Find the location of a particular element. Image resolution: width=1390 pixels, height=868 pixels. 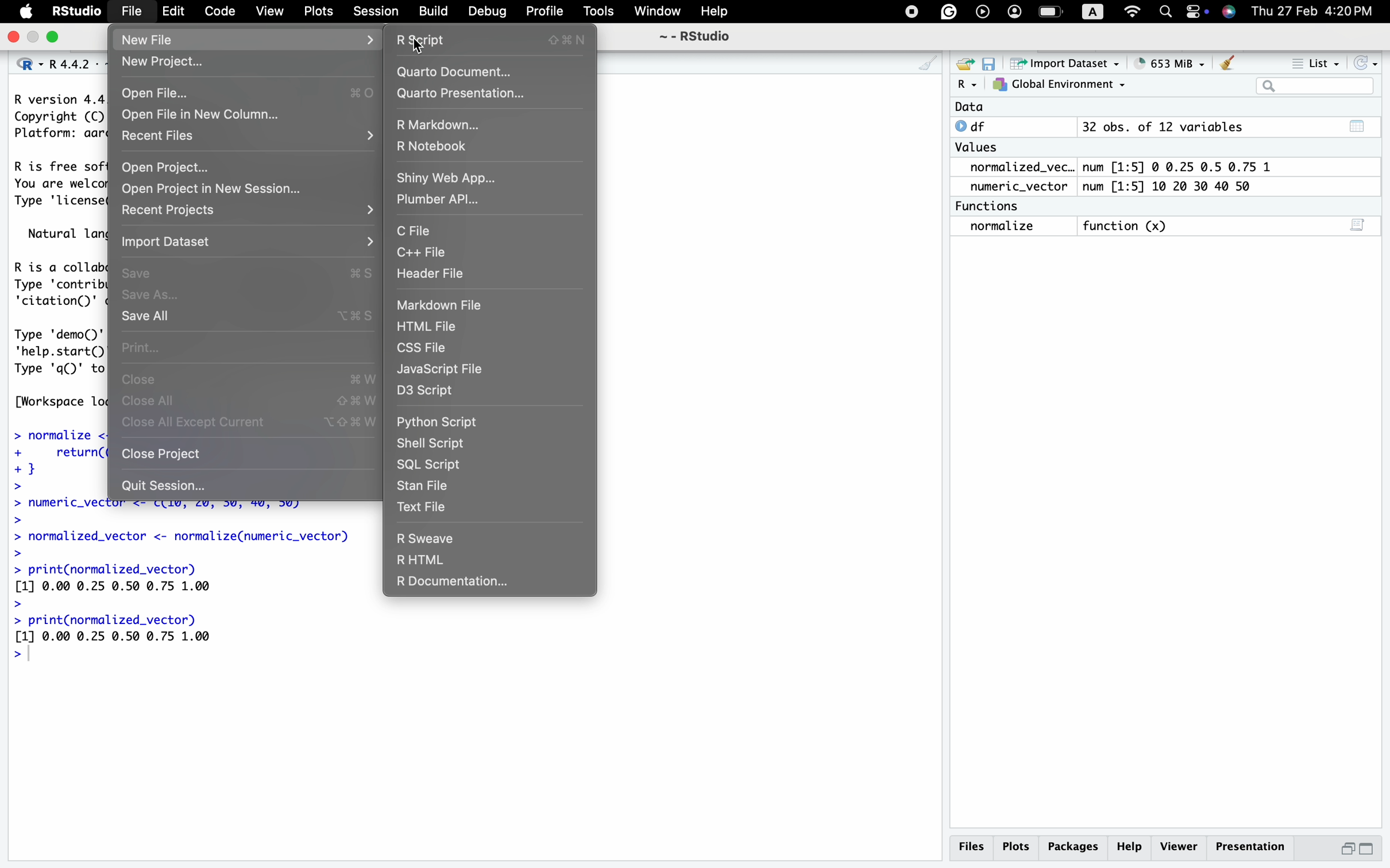

Viewer is located at coordinates (1180, 845).